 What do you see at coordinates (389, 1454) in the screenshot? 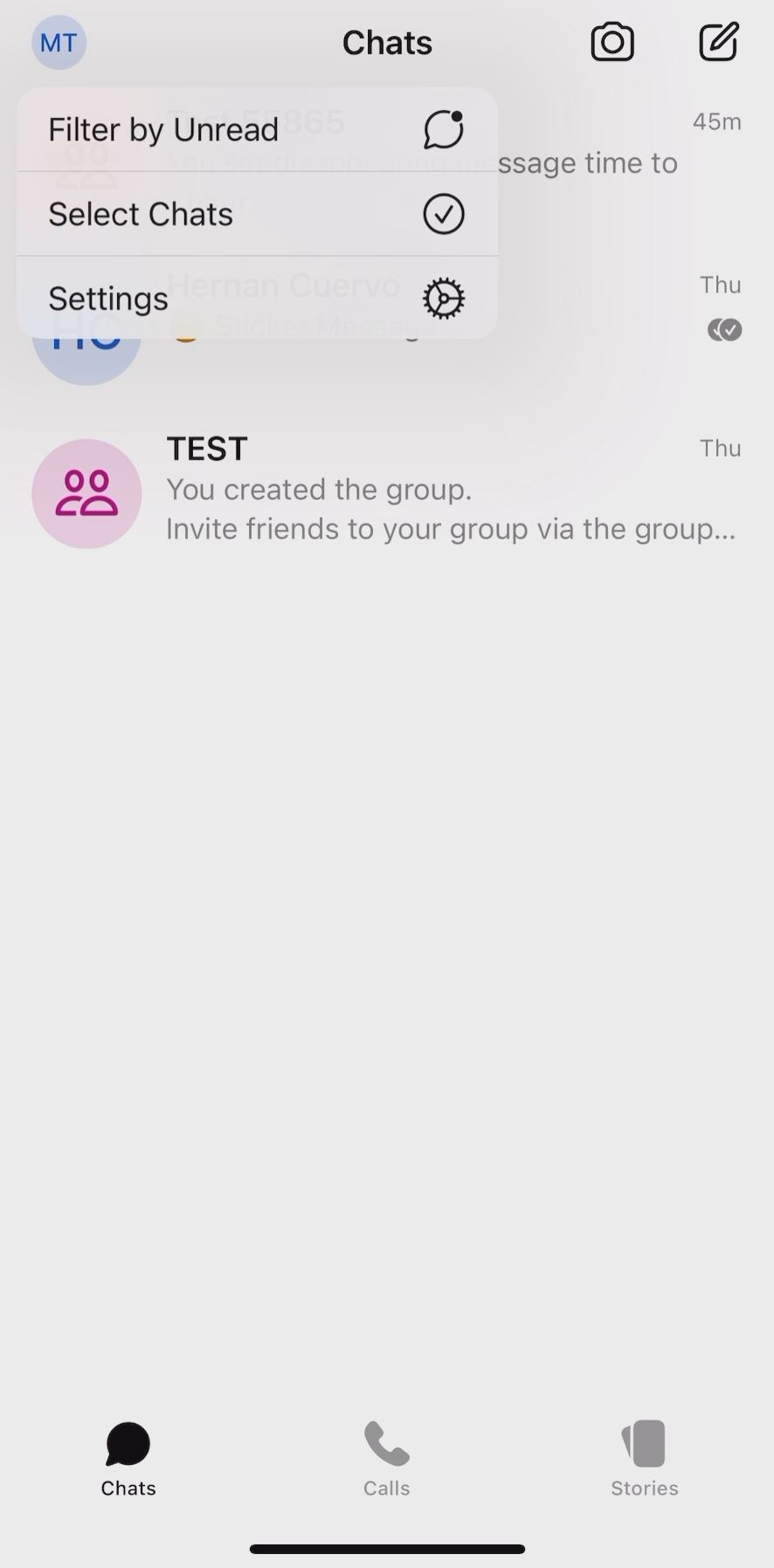
I see `calls` at bounding box center [389, 1454].